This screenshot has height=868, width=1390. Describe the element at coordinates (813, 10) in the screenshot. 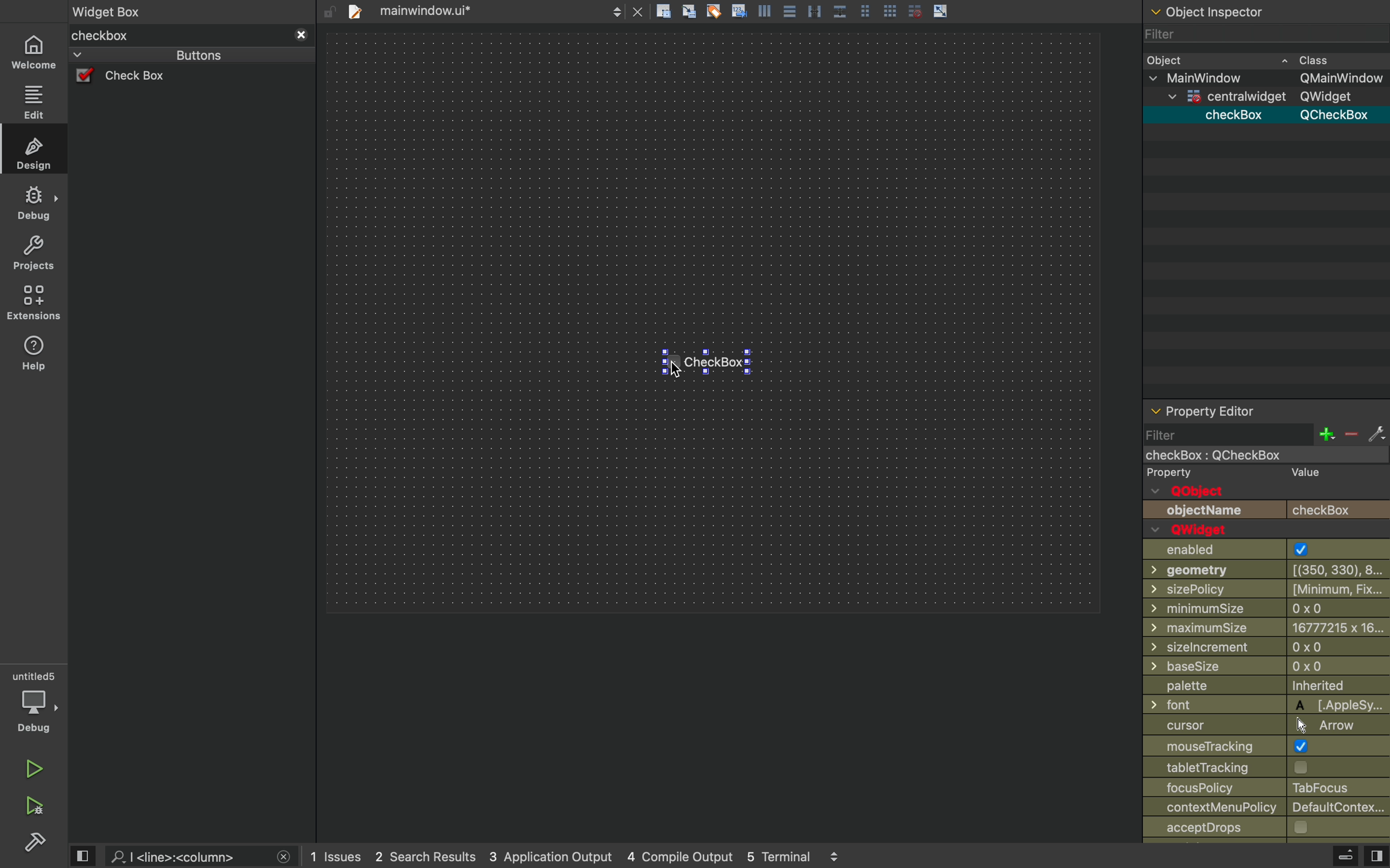

I see `distribute horizontally` at that location.